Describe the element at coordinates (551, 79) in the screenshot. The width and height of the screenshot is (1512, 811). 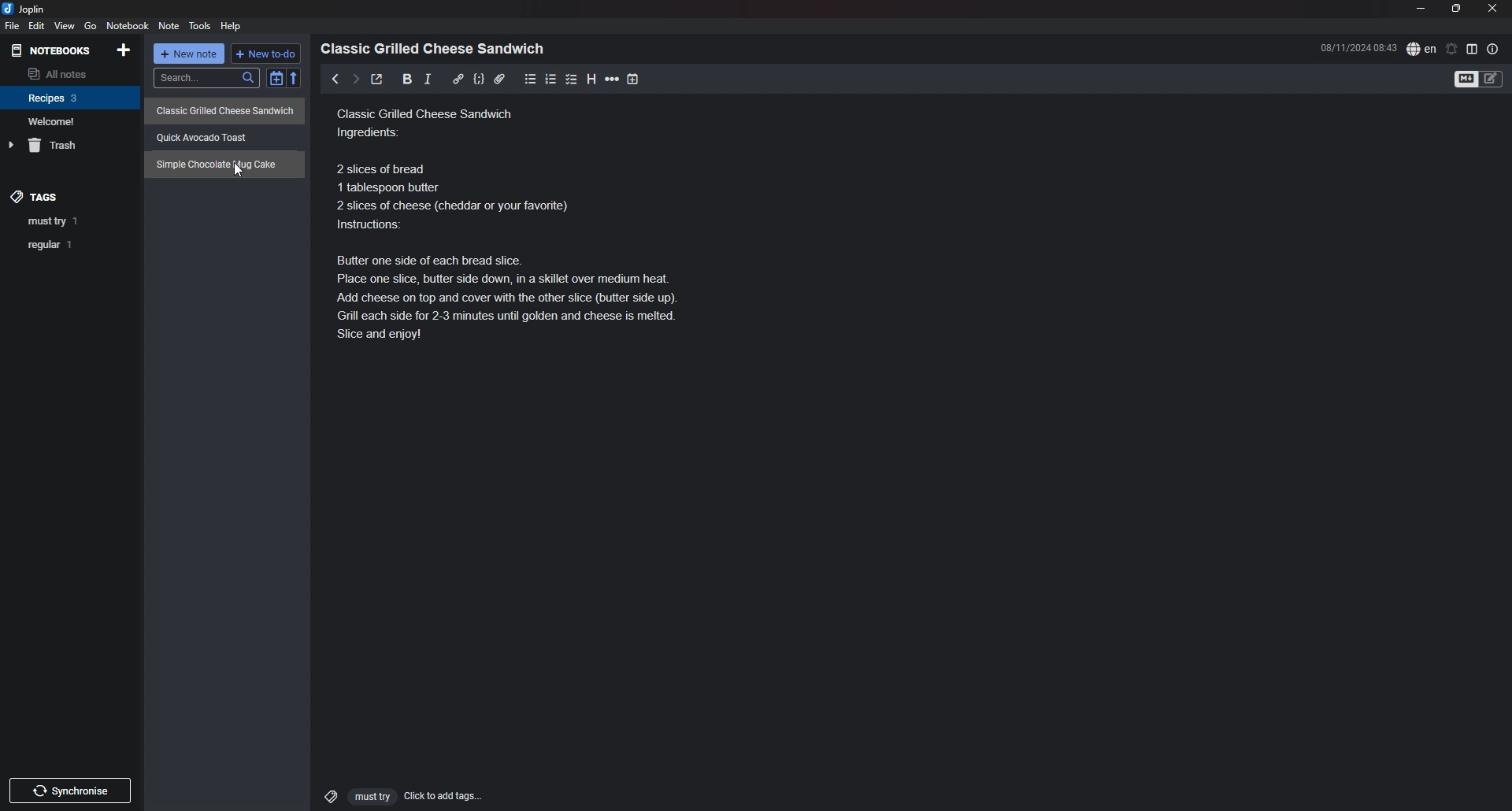
I see `number list` at that location.